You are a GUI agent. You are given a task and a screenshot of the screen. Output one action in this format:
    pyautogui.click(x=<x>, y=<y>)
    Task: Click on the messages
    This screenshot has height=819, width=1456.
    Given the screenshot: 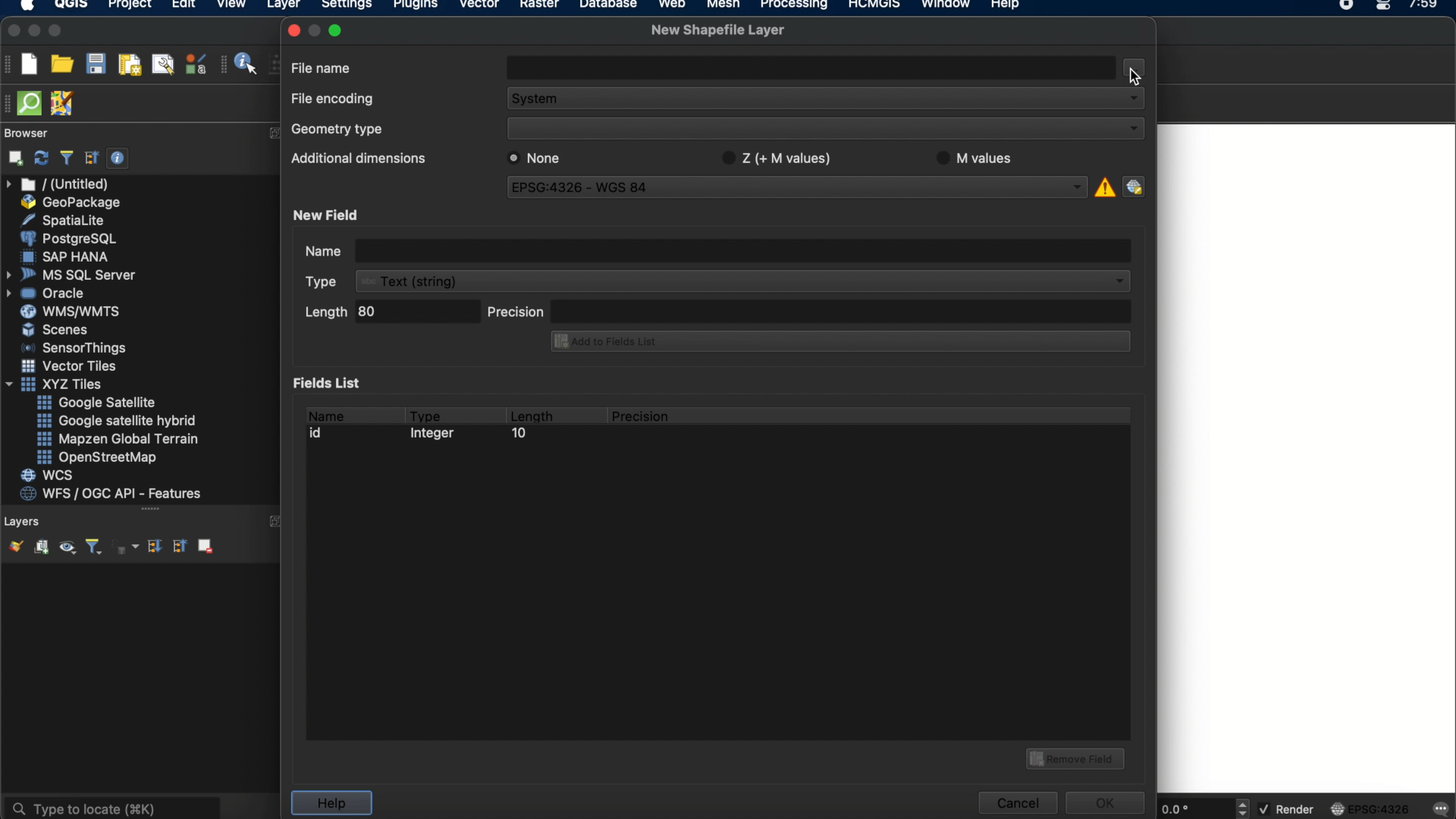 What is the action you would take?
    pyautogui.click(x=1439, y=810)
    